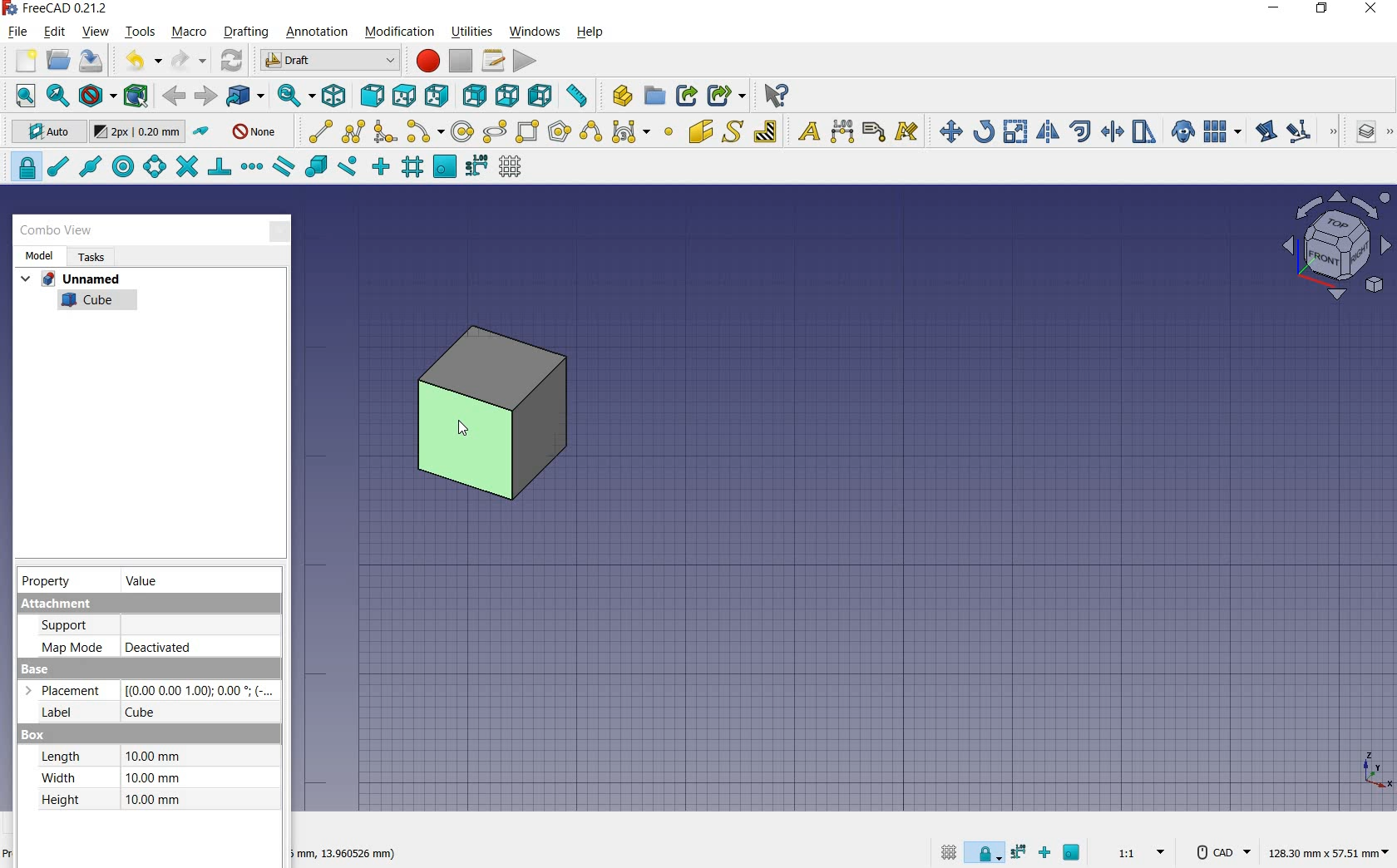 The image size is (1397, 868). What do you see at coordinates (280, 229) in the screenshot?
I see `close` at bounding box center [280, 229].